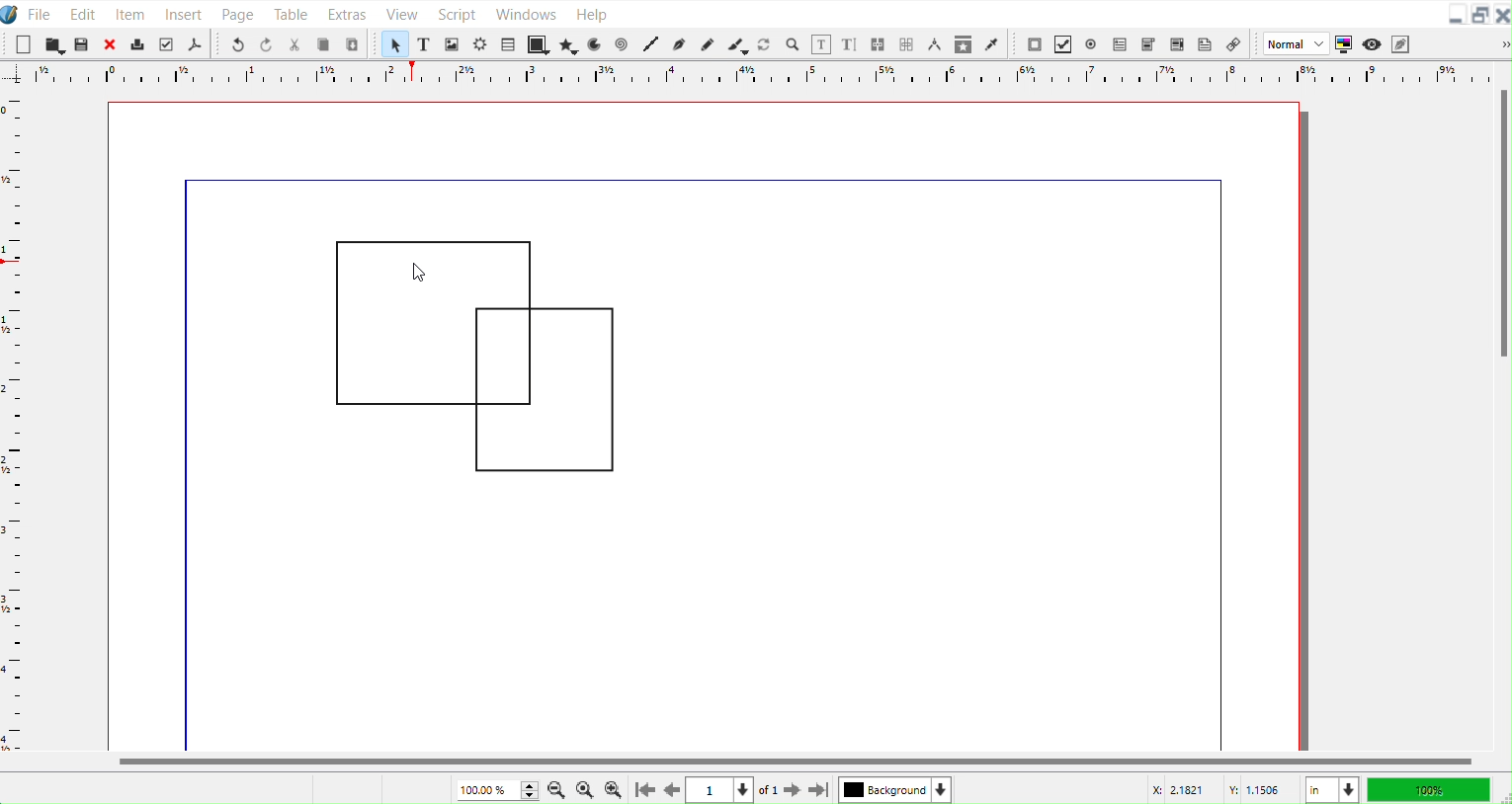 The width and height of the screenshot is (1512, 804). Describe the element at coordinates (1178, 790) in the screenshot. I see `X Co-ordinate` at that location.